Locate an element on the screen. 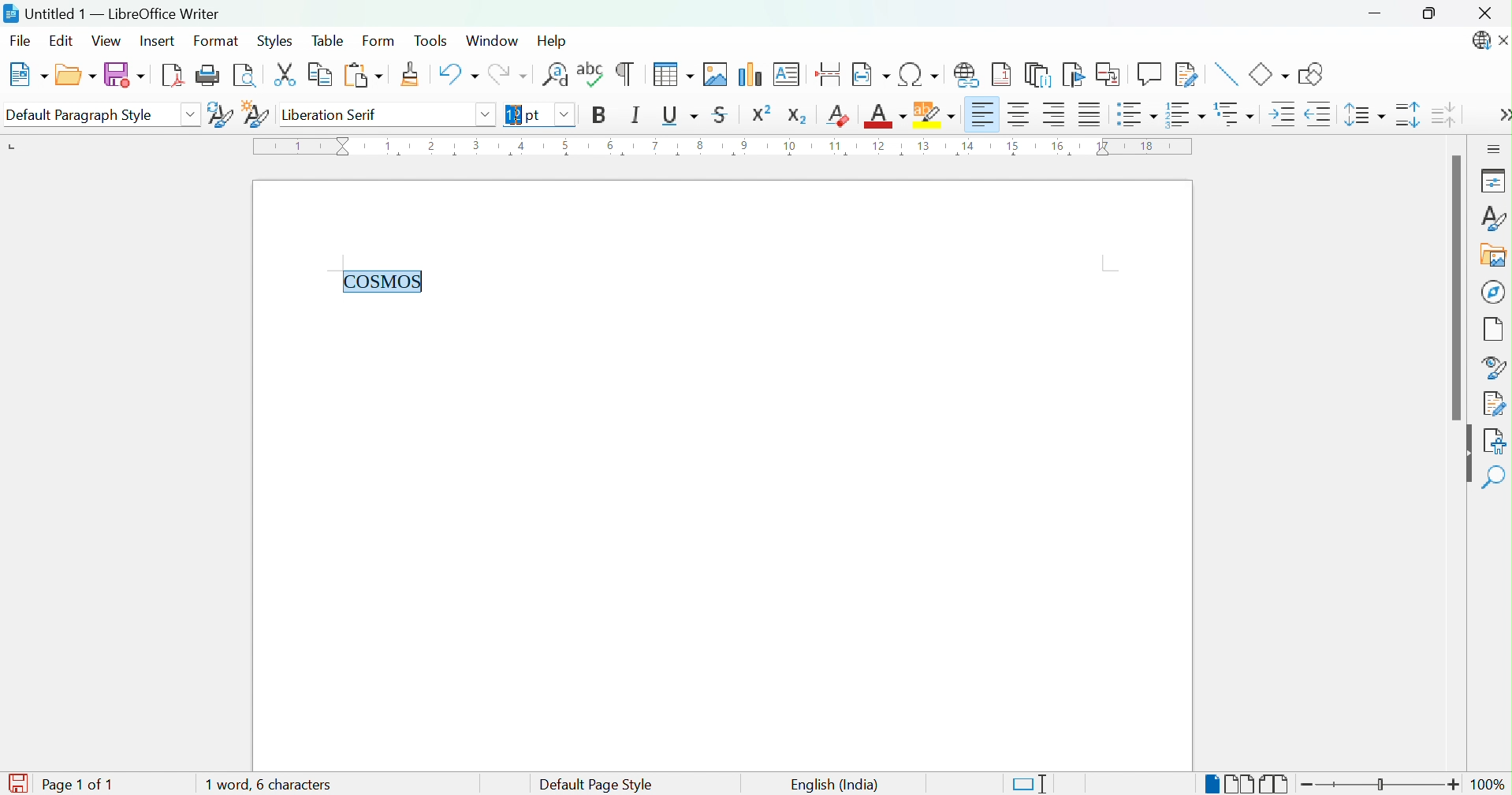  Form is located at coordinates (378, 42).